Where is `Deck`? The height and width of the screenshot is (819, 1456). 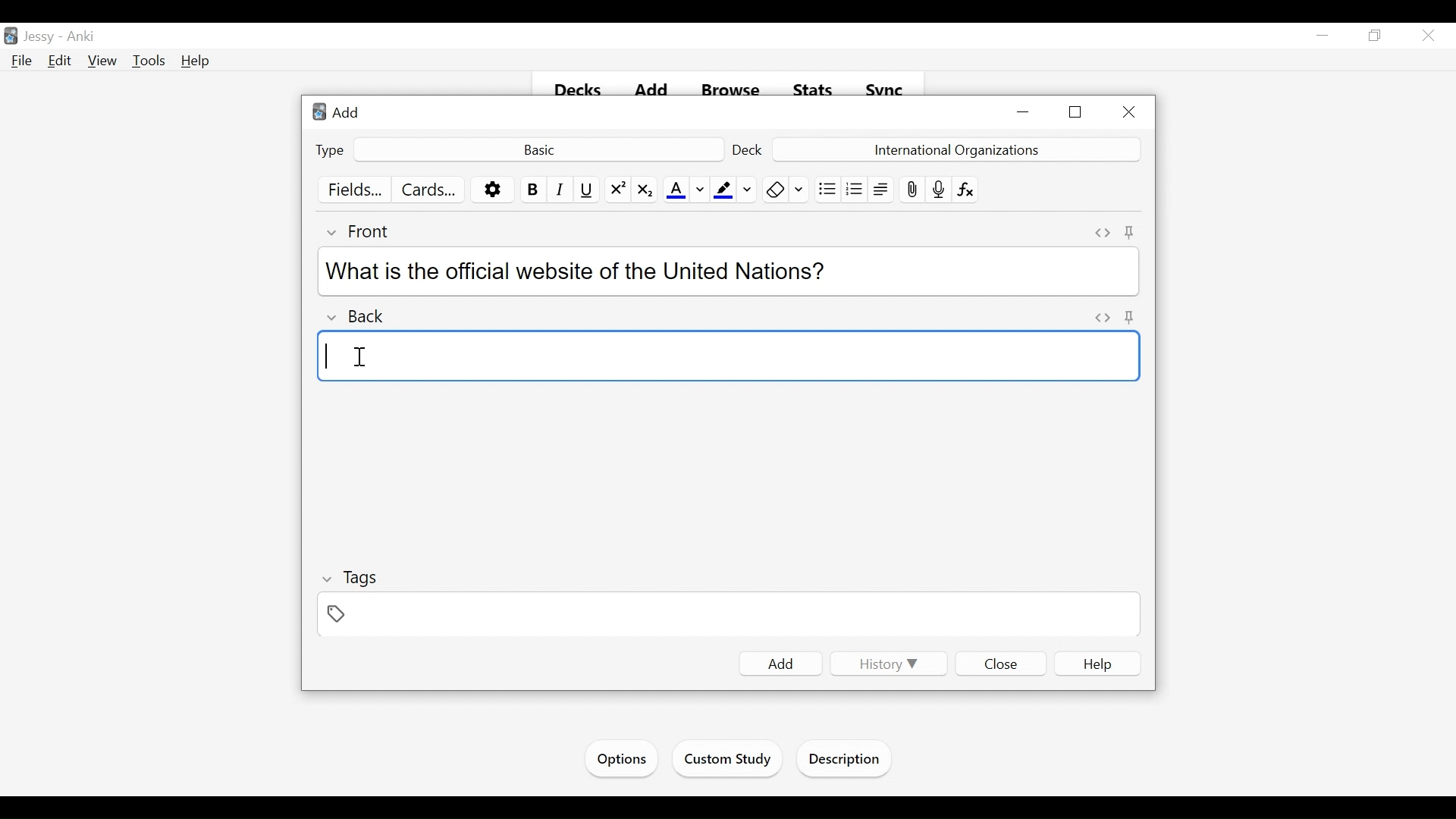 Deck is located at coordinates (748, 149).